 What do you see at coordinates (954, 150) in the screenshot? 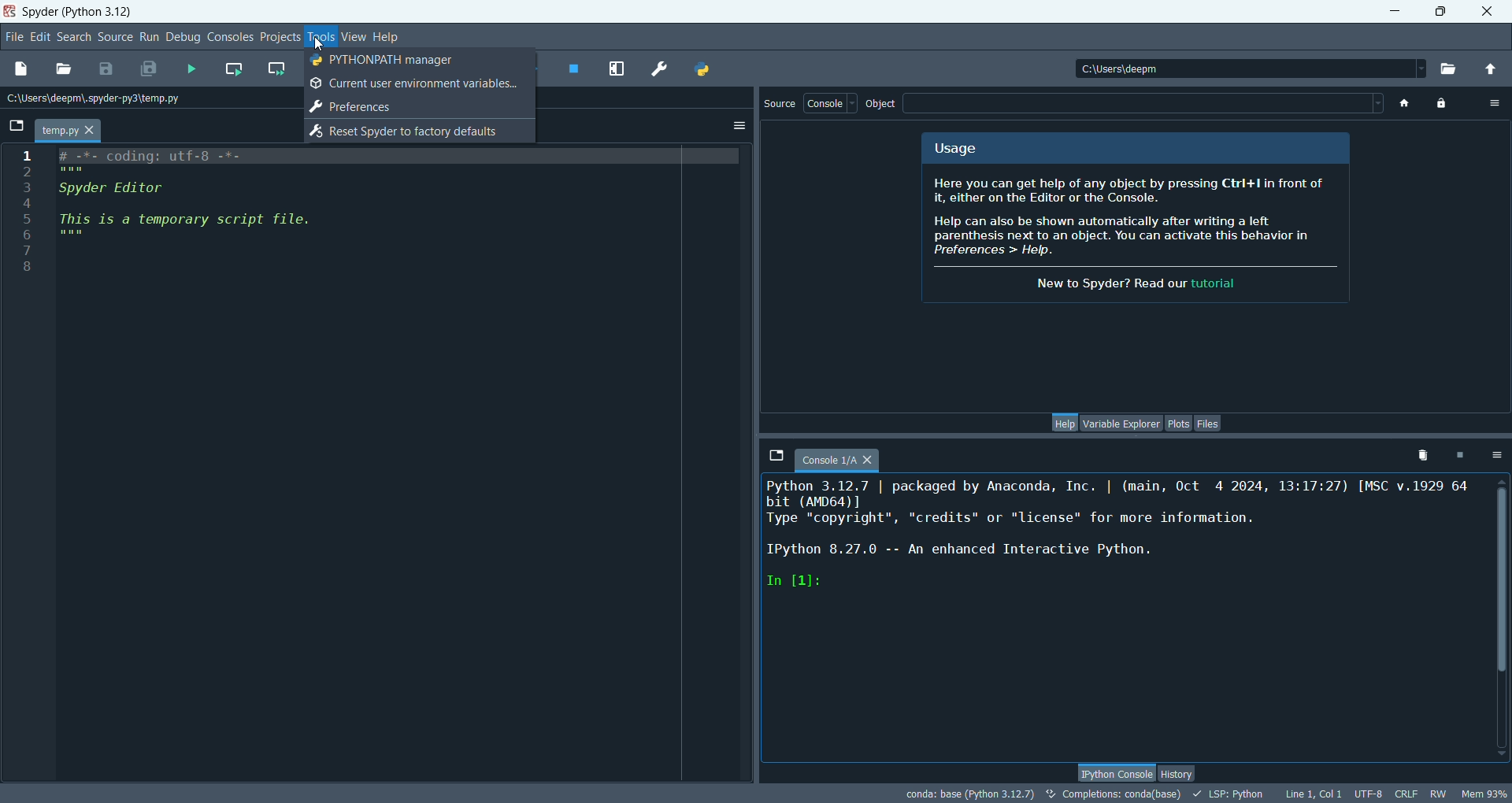
I see `usage` at bounding box center [954, 150].